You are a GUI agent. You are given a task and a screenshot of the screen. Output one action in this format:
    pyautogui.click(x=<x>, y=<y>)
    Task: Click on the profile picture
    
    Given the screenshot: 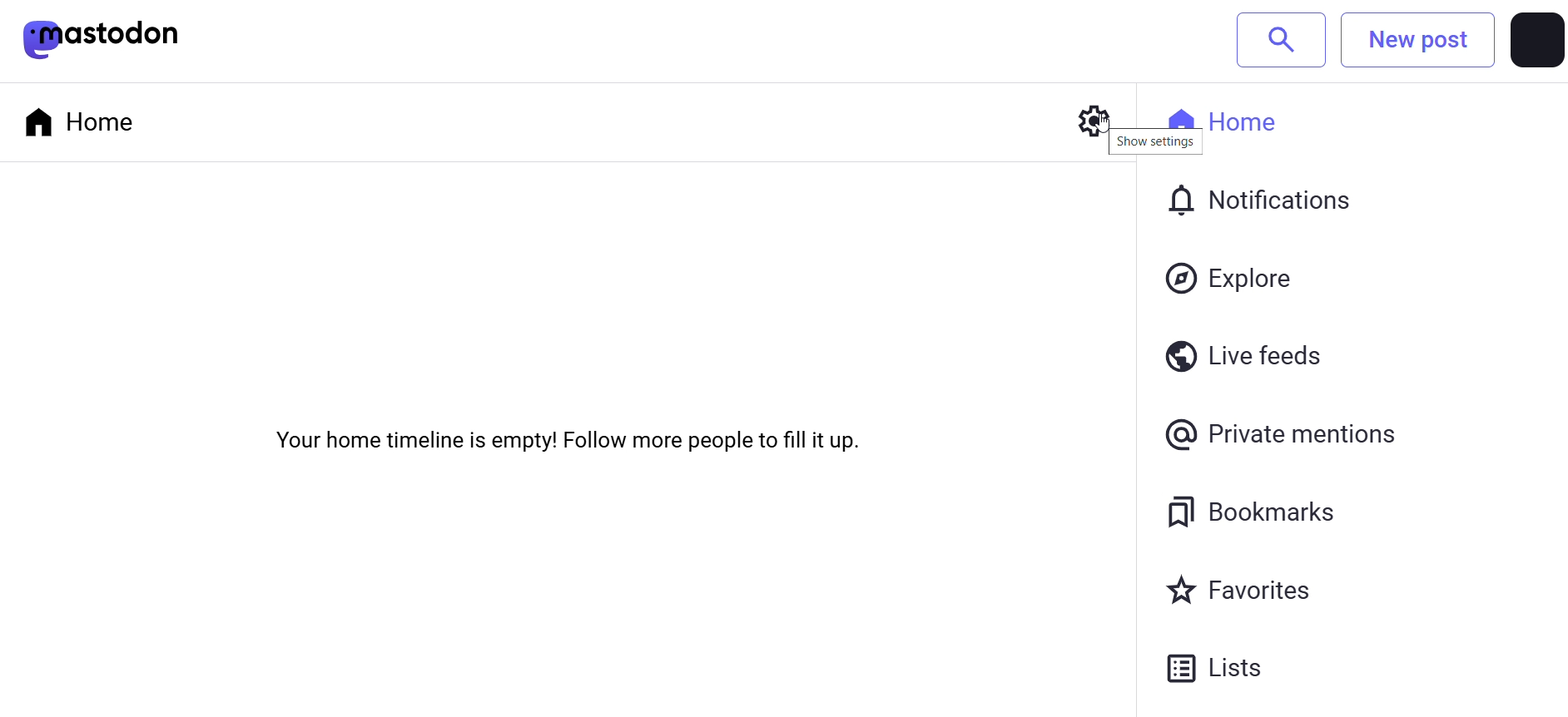 What is the action you would take?
    pyautogui.click(x=1536, y=42)
    